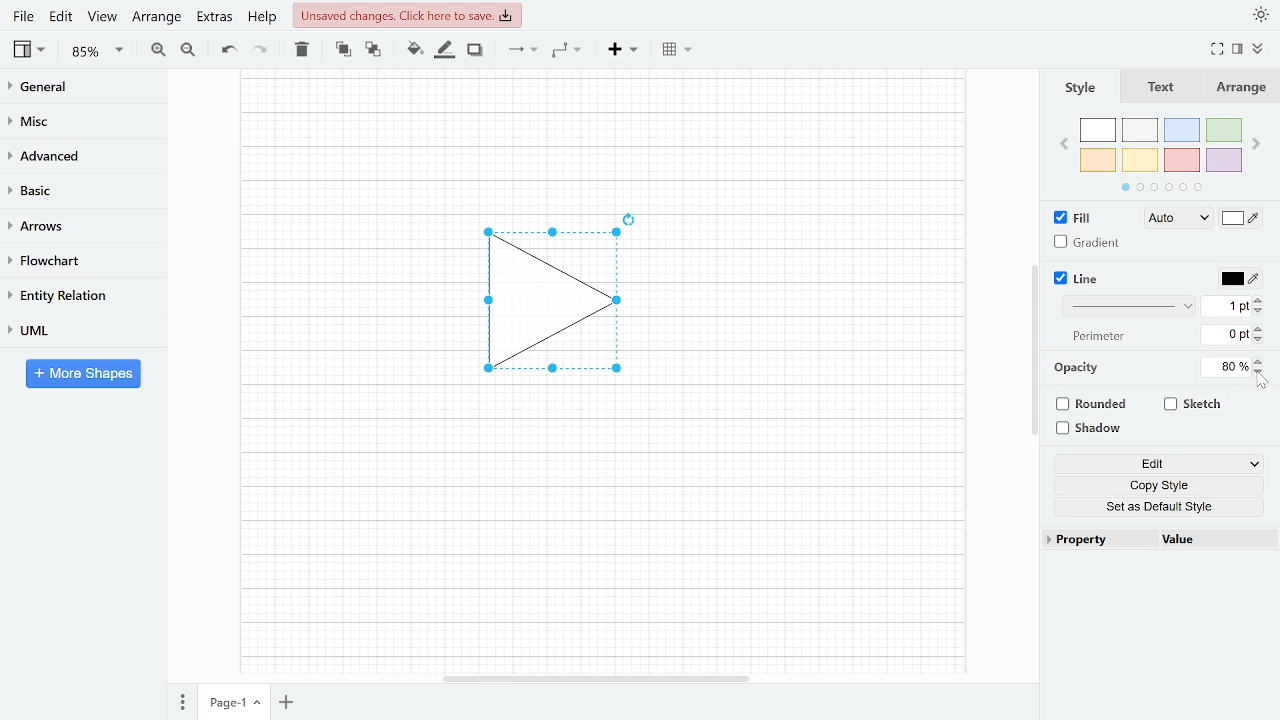 Image resolution: width=1280 pixels, height=720 pixels. I want to click on Horizontal scrollbar, so click(598, 678).